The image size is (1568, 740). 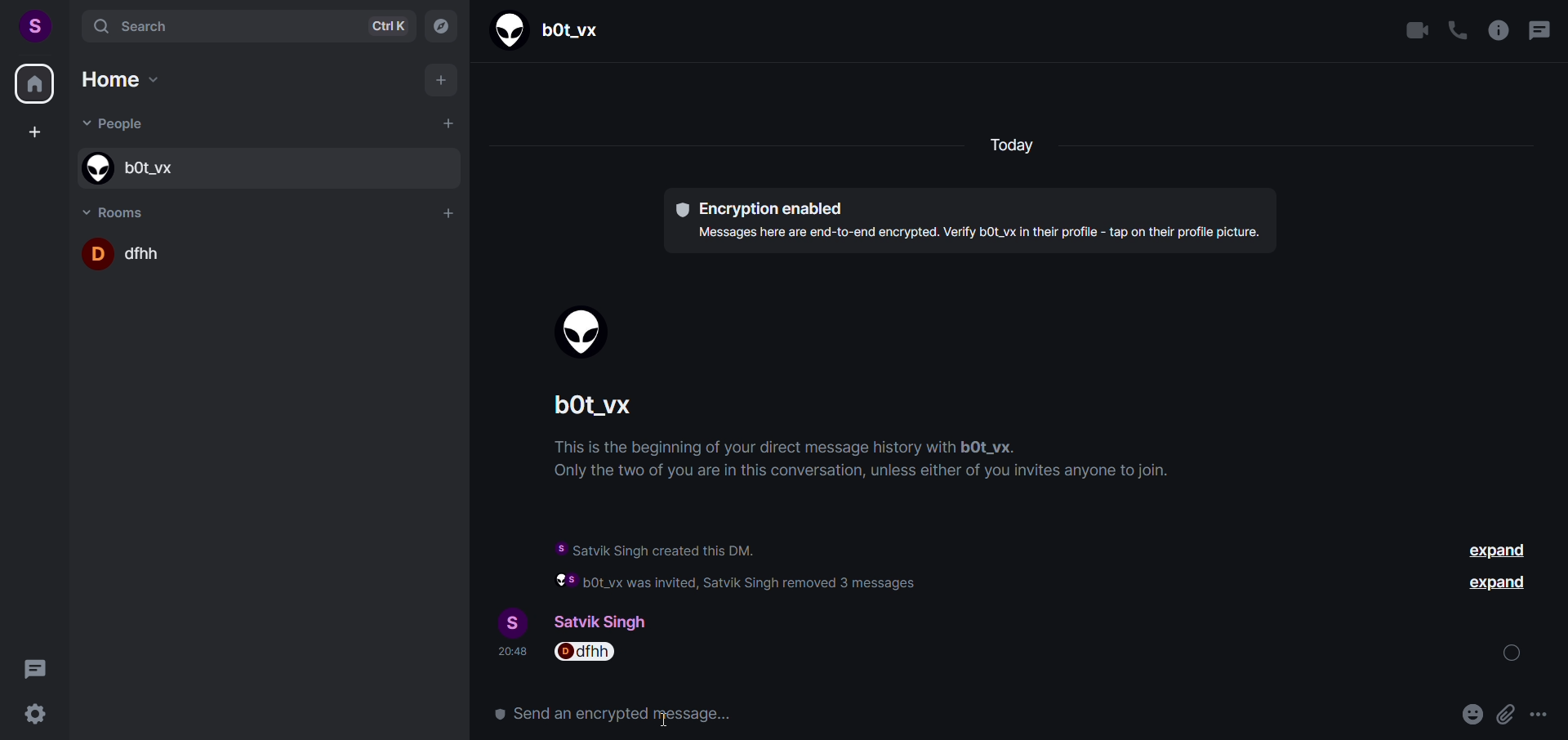 What do you see at coordinates (1535, 714) in the screenshot?
I see `send` at bounding box center [1535, 714].